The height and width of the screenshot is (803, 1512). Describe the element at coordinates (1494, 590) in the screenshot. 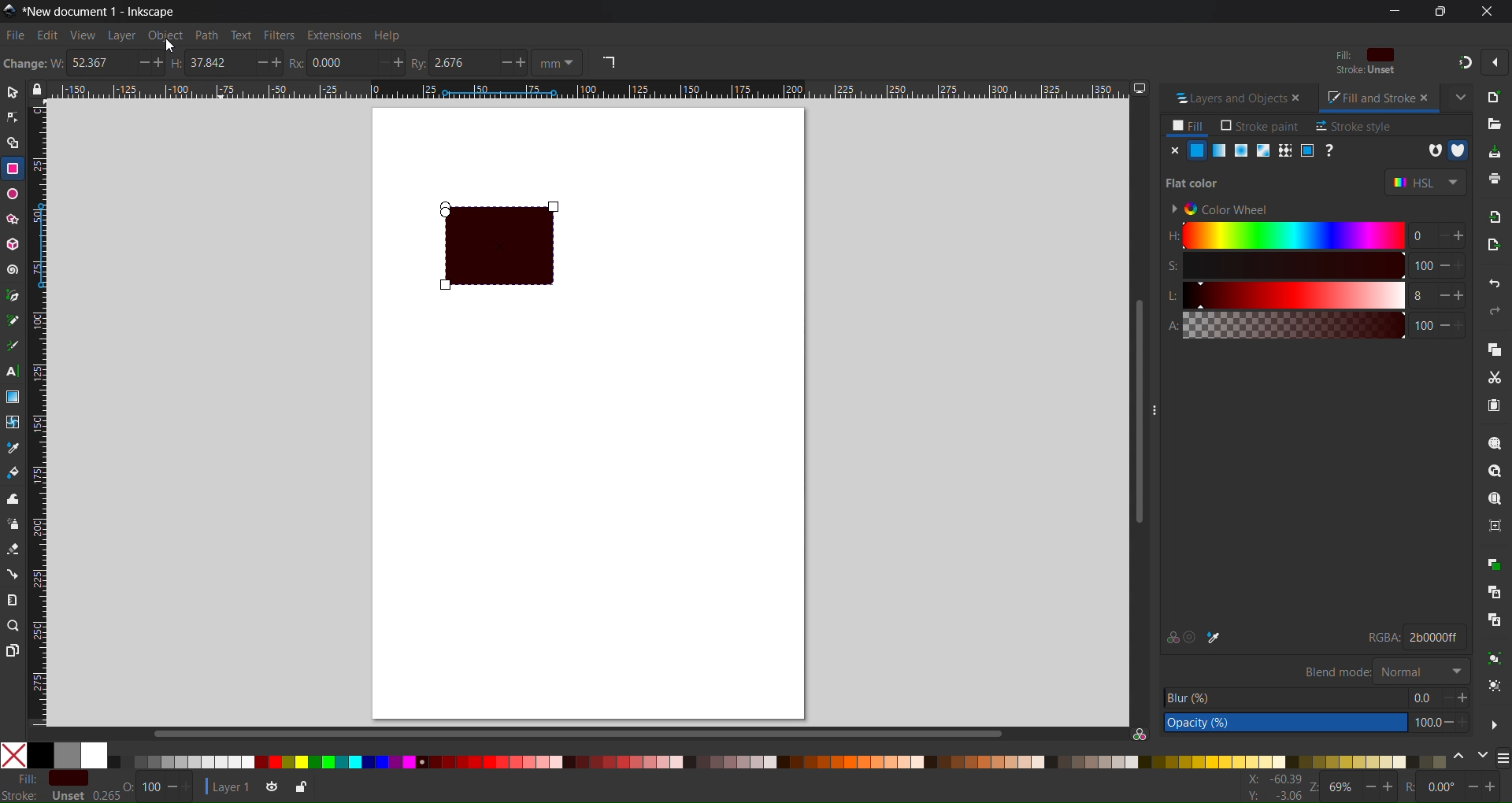

I see `Create clone` at that location.